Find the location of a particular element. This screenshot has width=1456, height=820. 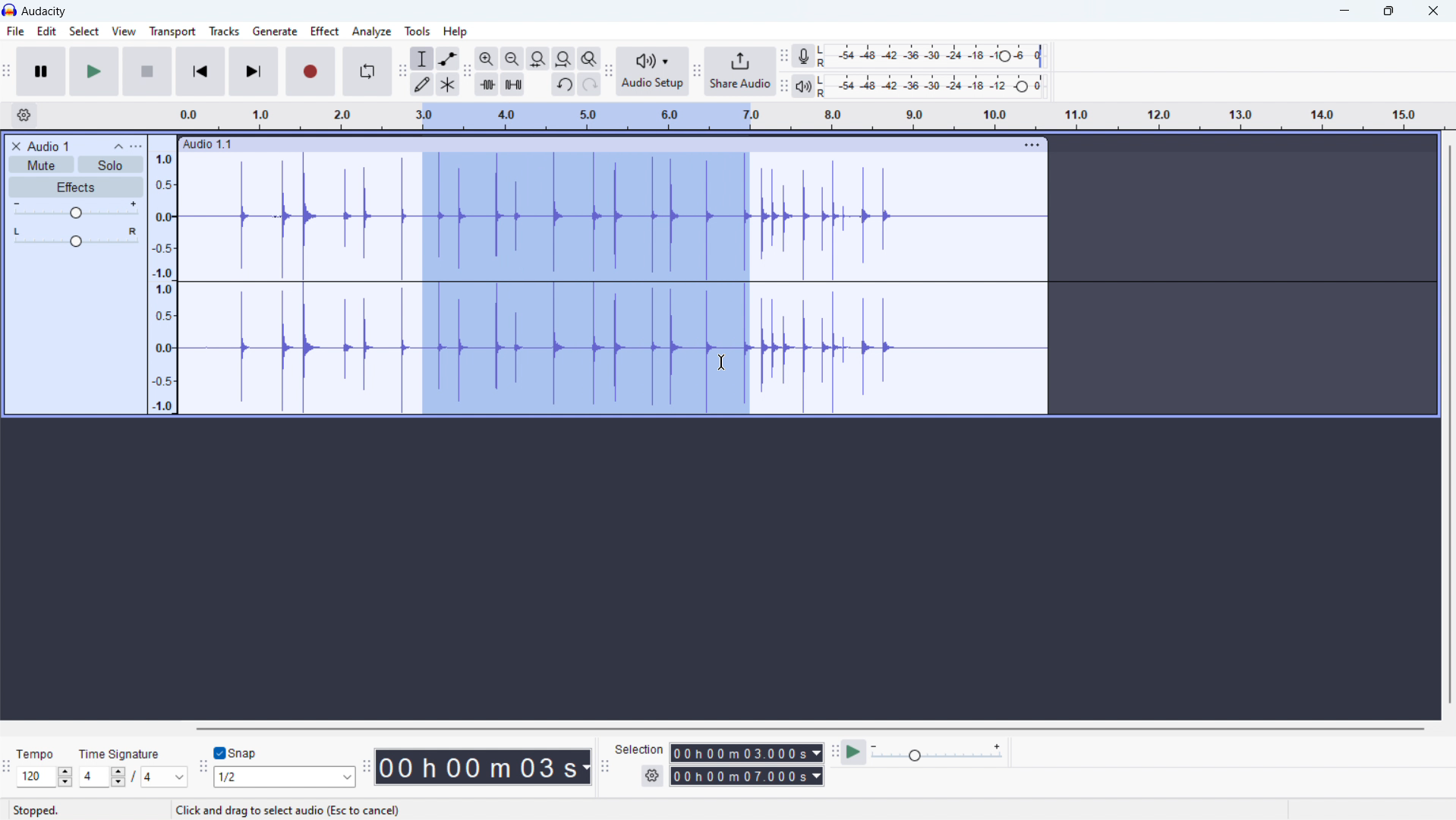

Selection is located at coordinates (641, 746).